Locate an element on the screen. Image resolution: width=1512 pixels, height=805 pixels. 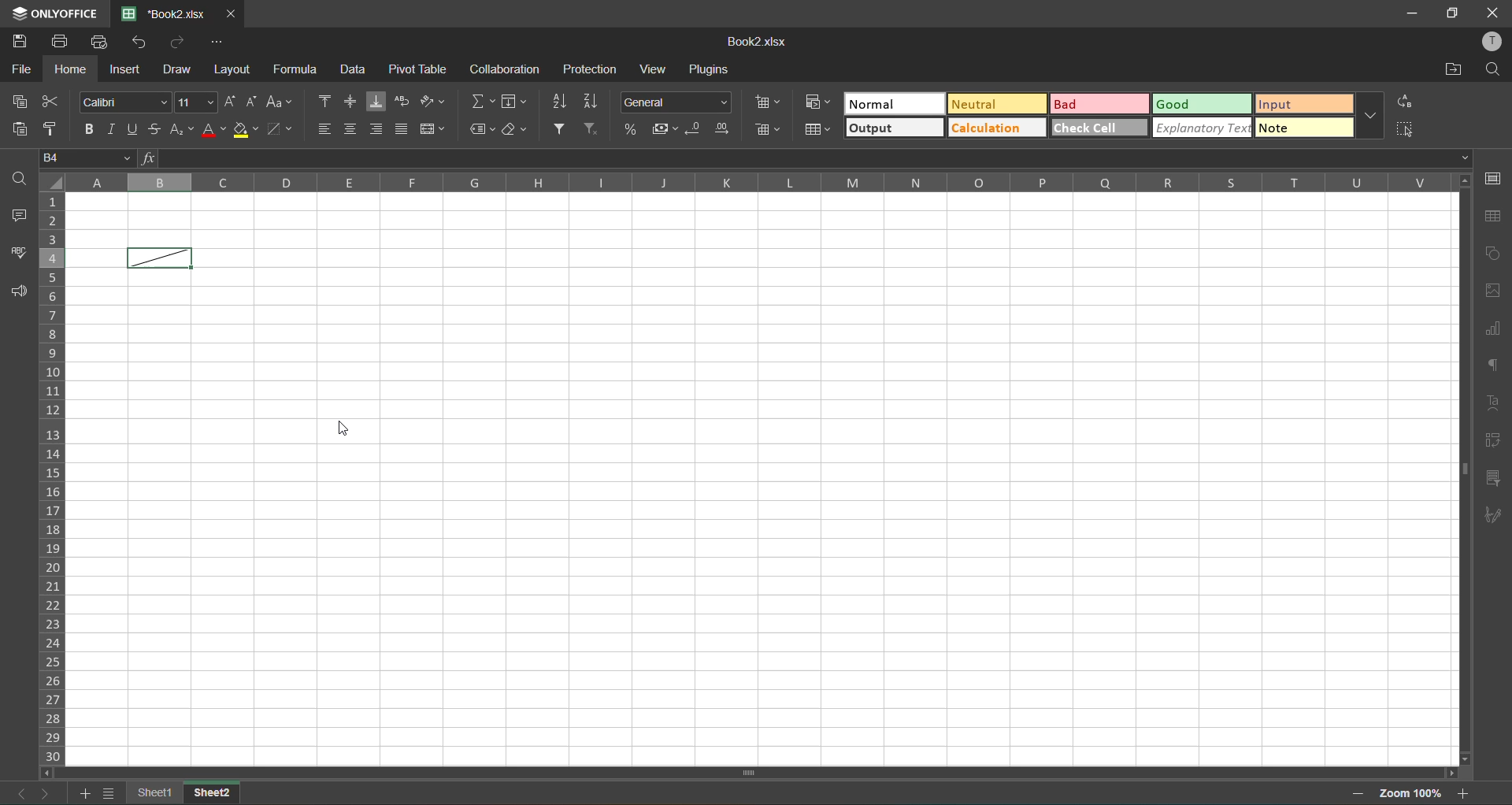
row numbers is located at coordinates (57, 475).